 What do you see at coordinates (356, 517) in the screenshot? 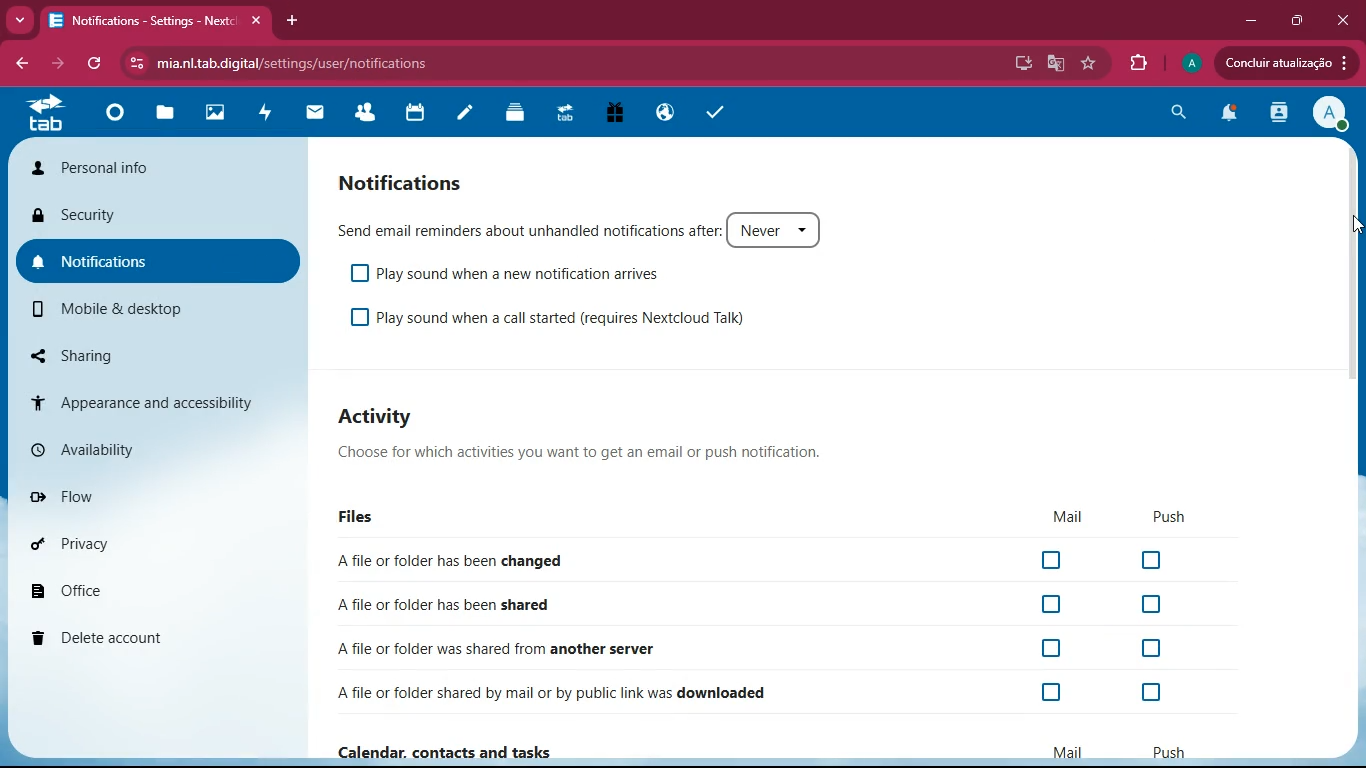
I see `Files` at bounding box center [356, 517].